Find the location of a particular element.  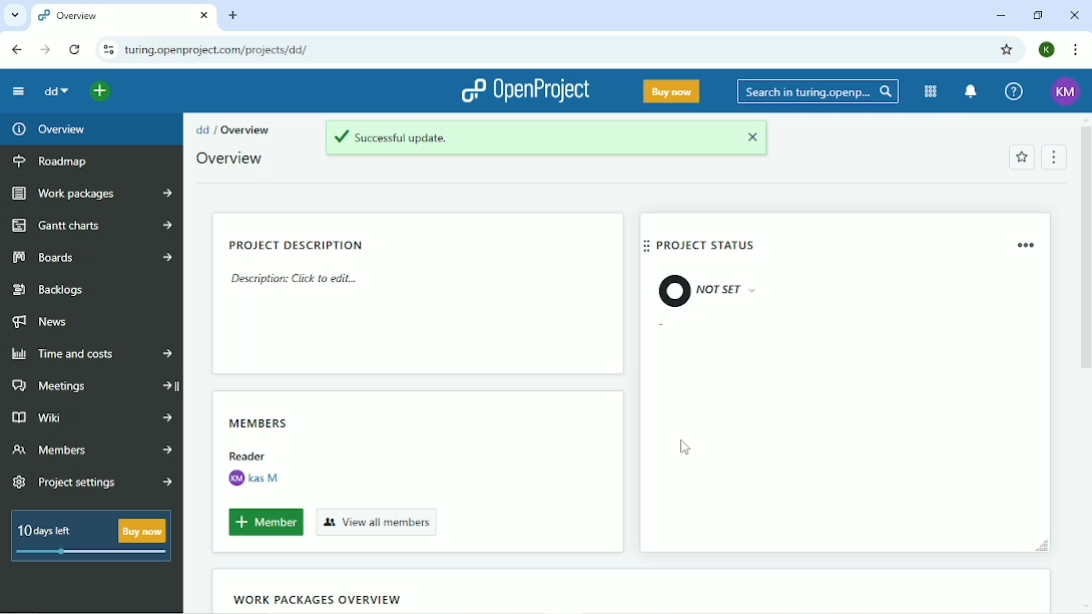

View site information is located at coordinates (107, 50).